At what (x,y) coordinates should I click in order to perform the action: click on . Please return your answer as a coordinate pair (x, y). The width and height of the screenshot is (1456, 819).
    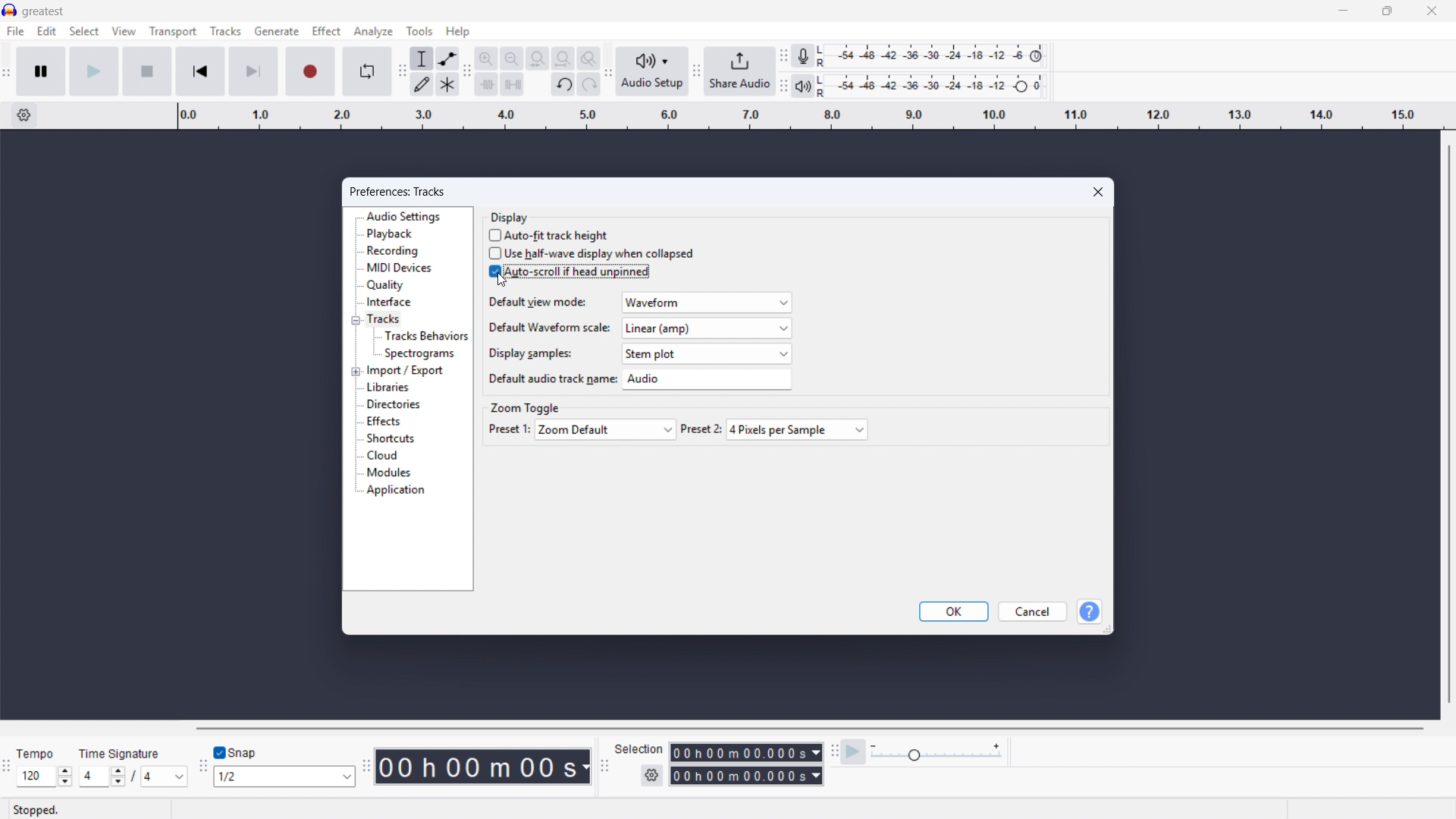
    Looking at the image, I should click on (14, 30).